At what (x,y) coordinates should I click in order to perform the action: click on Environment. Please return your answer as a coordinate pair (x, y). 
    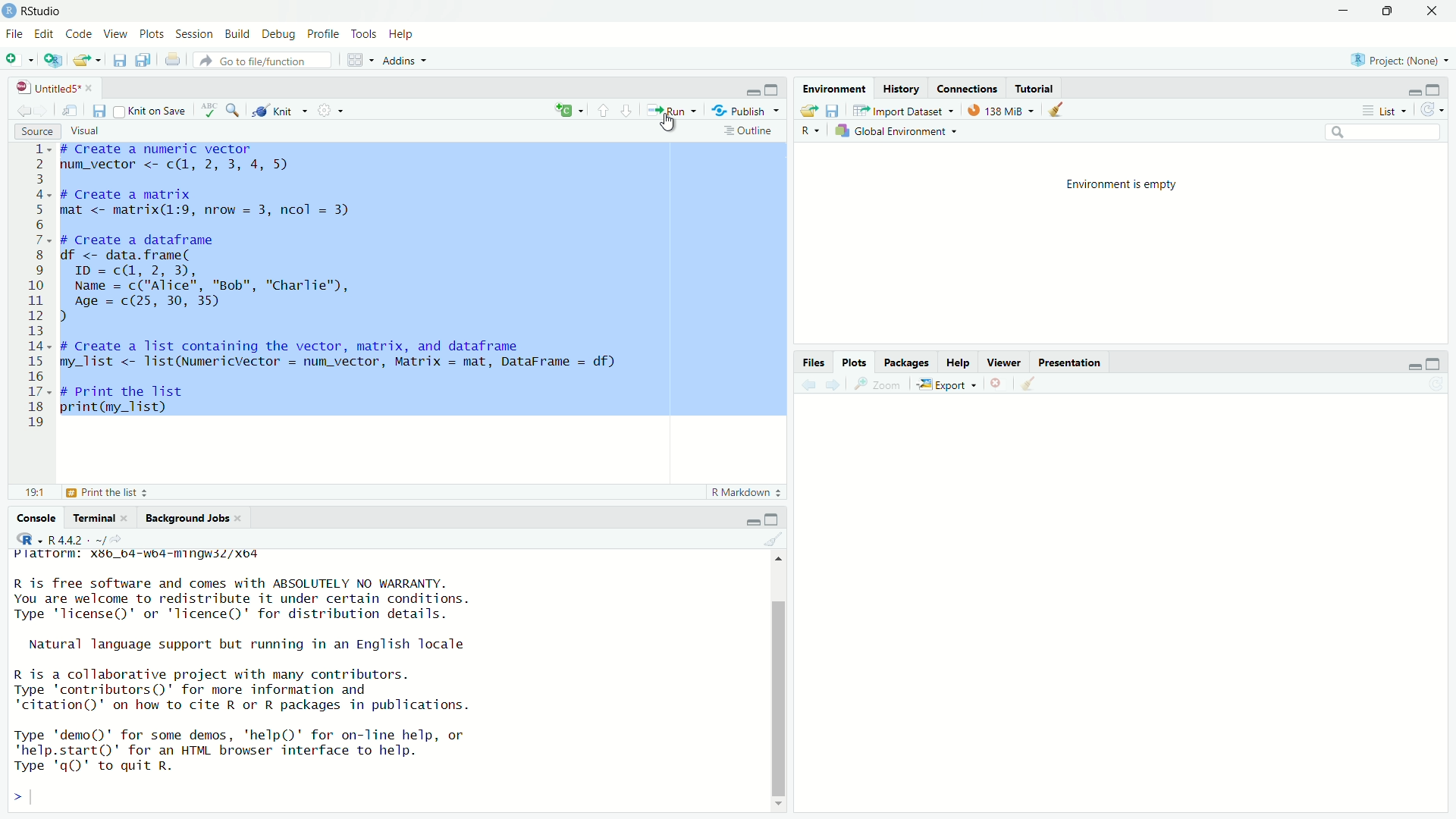
    Looking at the image, I should click on (835, 88).